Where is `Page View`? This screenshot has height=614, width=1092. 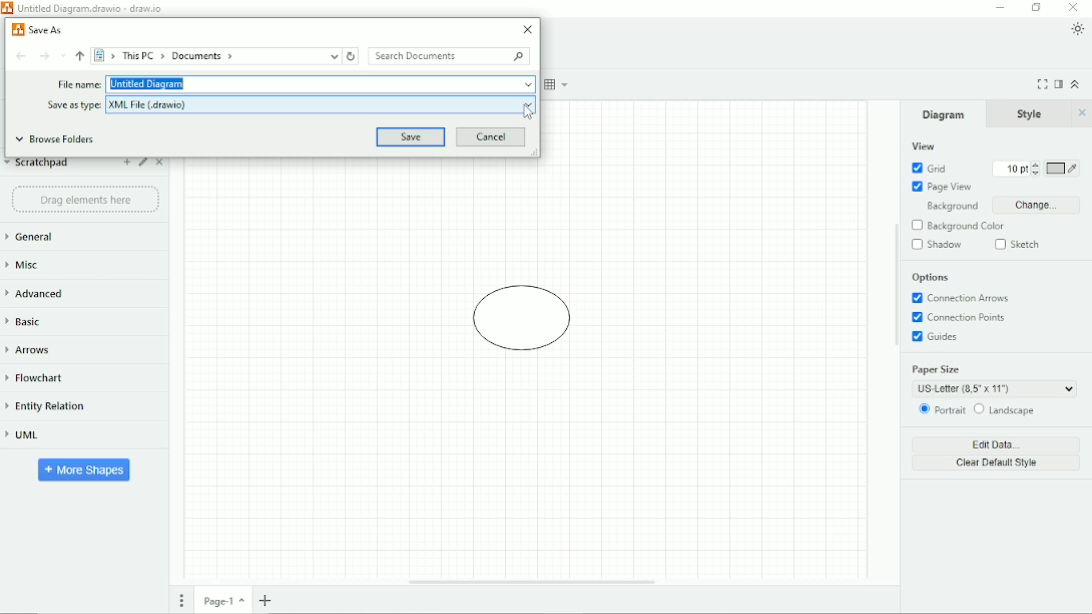
Page View is located at coordinates (941, 186).